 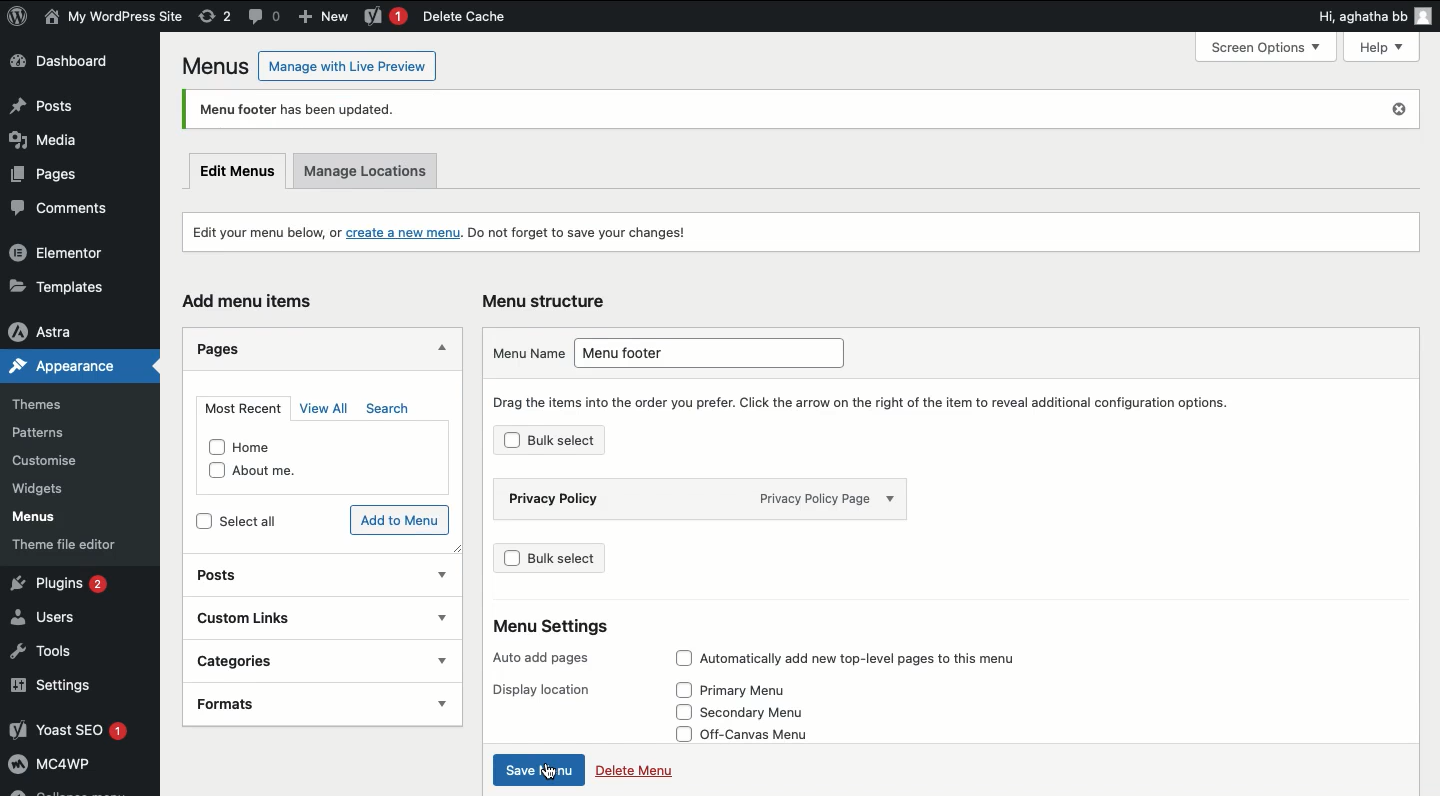 What do you see at coordinates (347, 65) in the screenshot?
I see `Manage with Live Preview` at bounding box center [347, 65].